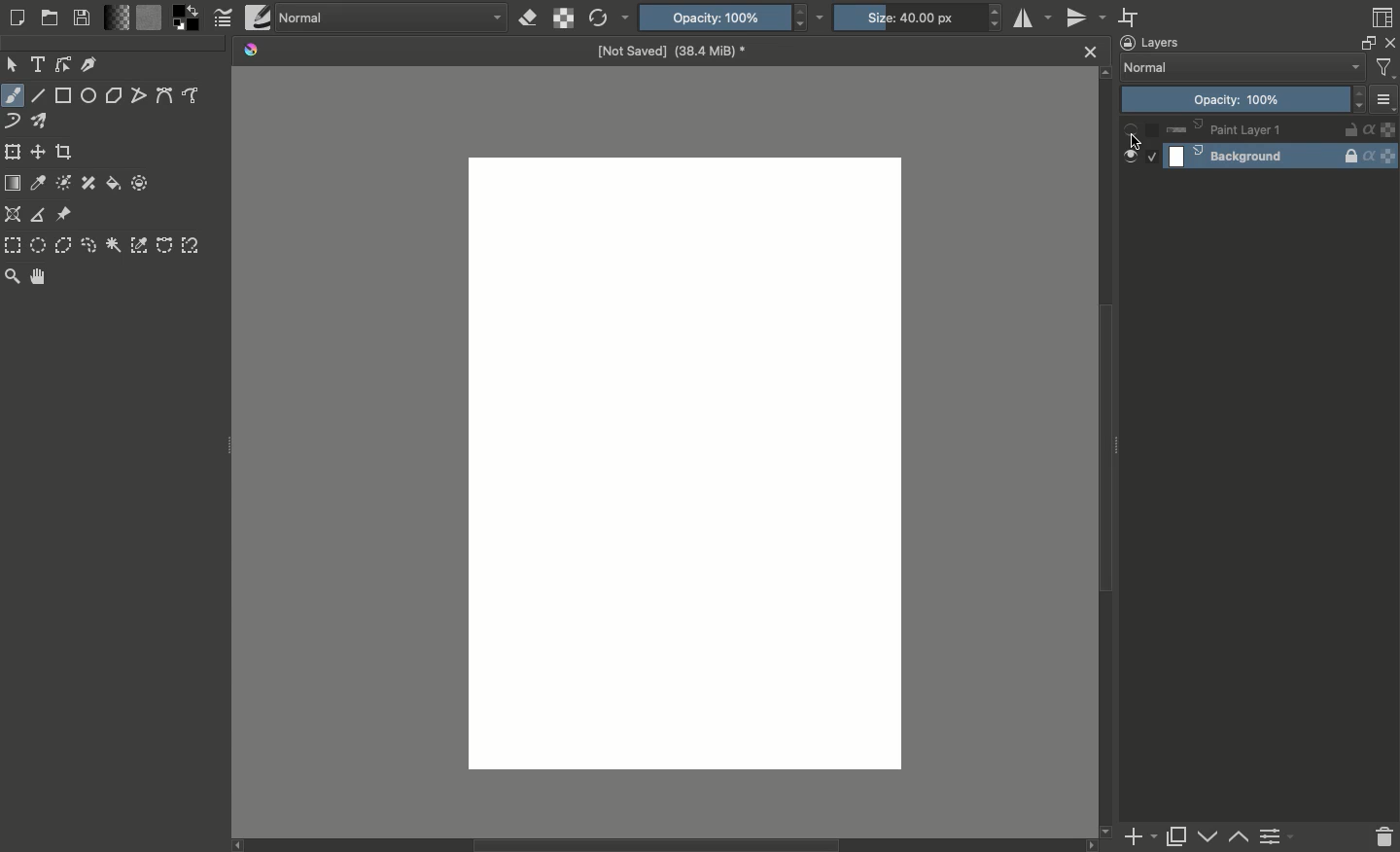  Describe the element at coordinates (194, 95) in the screenshot. I see `Freehand path` at that location.